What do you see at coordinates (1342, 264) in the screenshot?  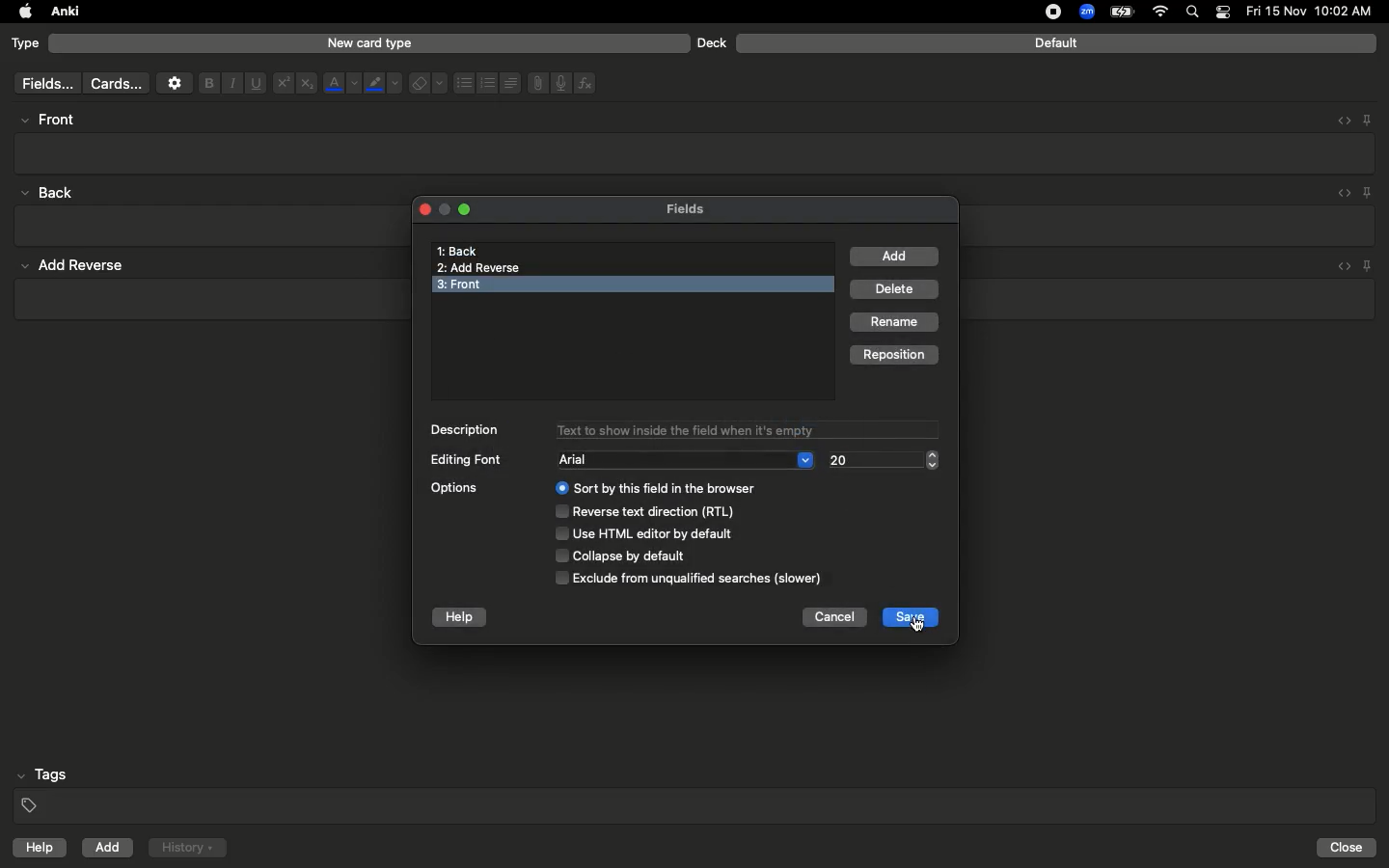 I see `embed` at bounding box center [1342, 264].